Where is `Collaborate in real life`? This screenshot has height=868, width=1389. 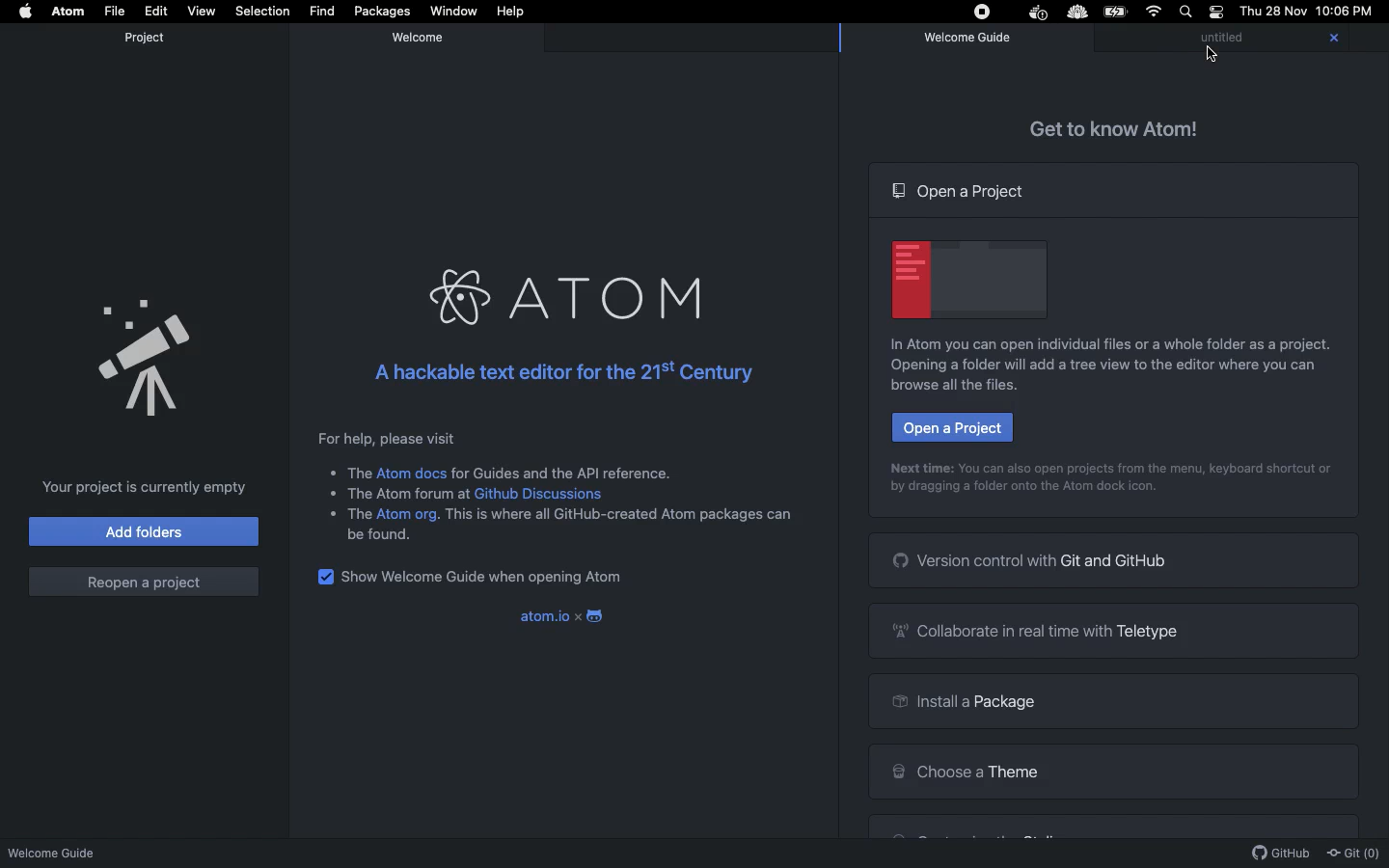
Collaborate in real life is located at coordinates (1115, 630).